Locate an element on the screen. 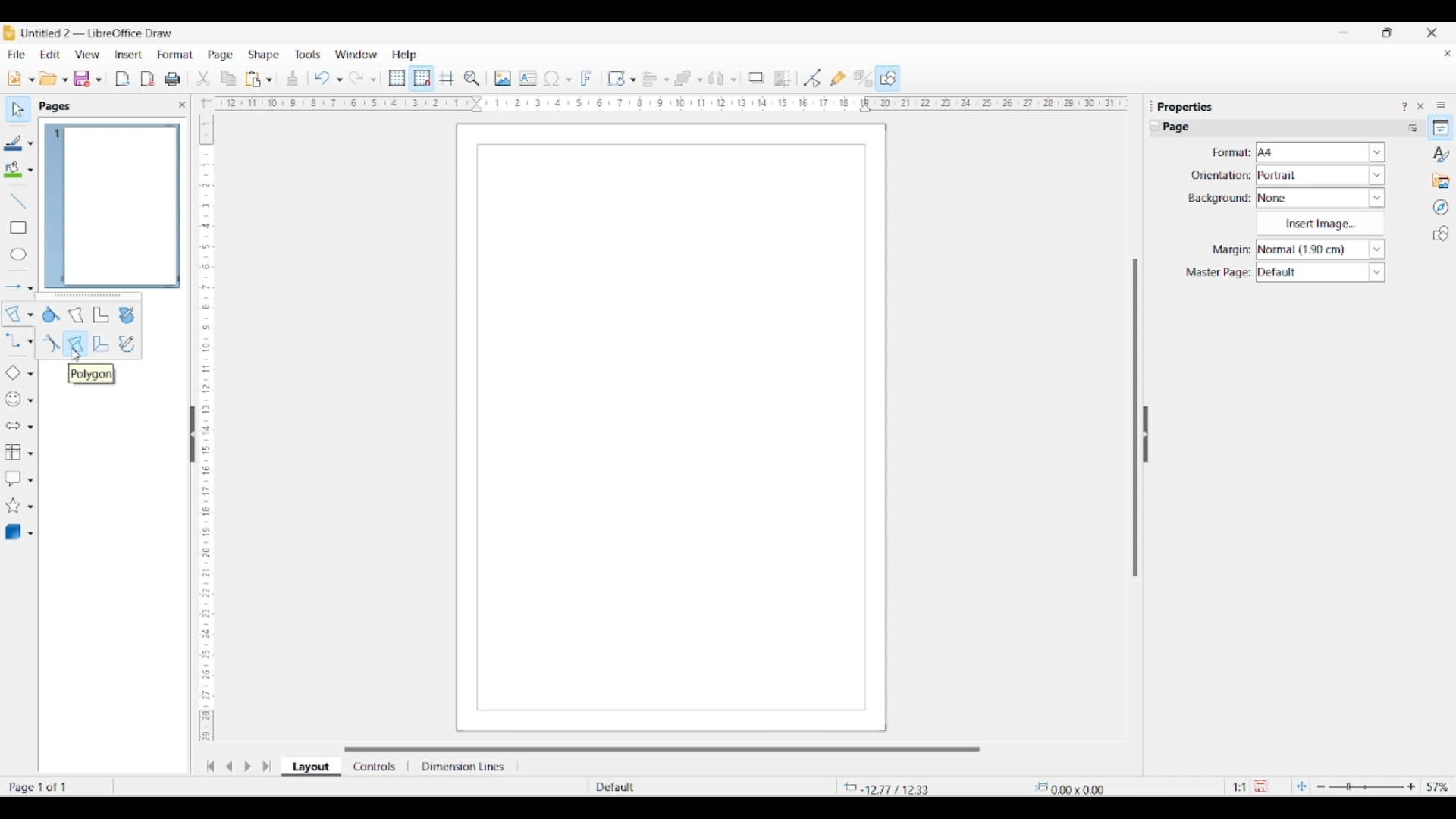  Insert is located at coordinates (129, 55).